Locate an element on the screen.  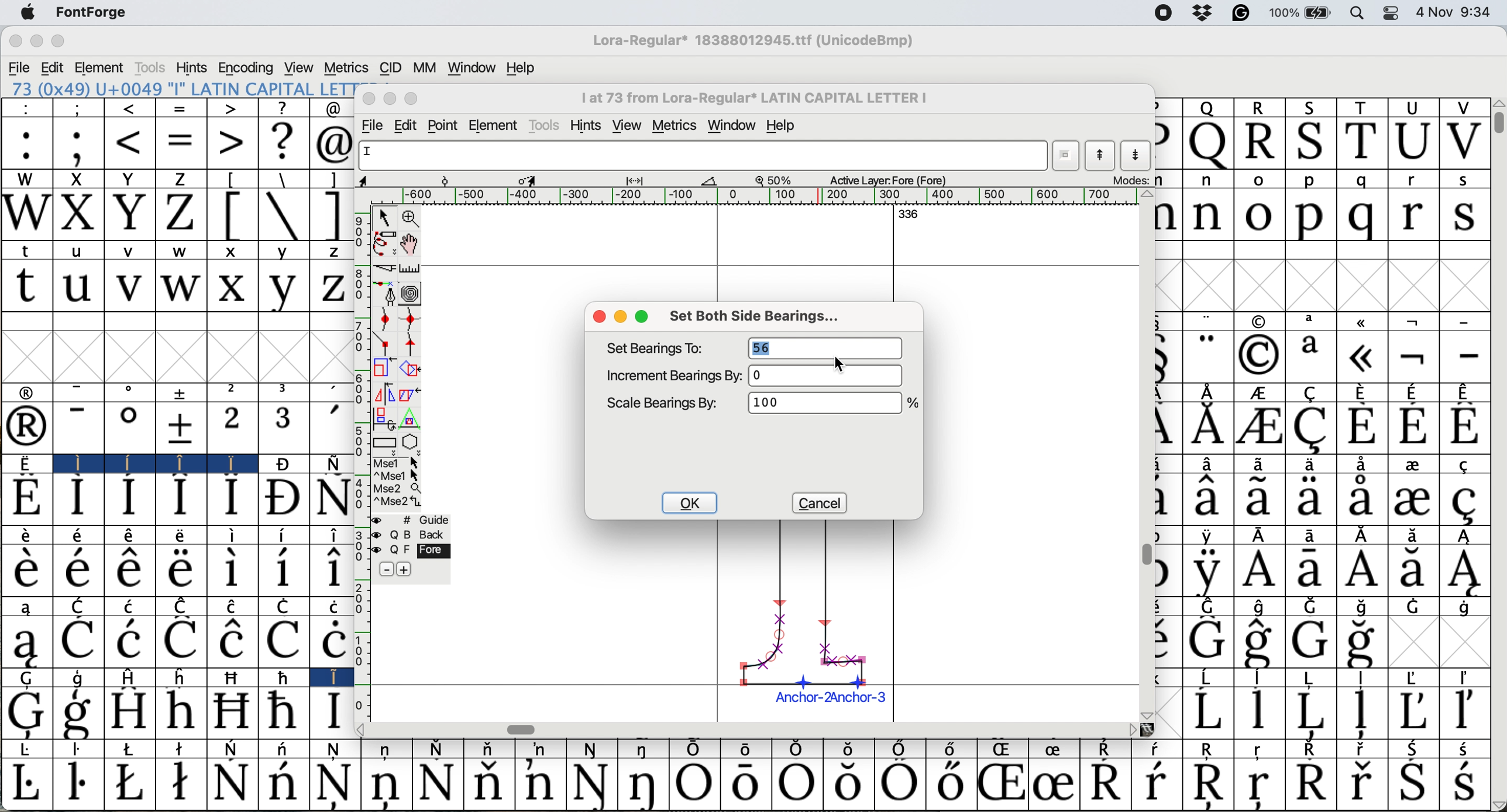
56 is located at coordinates (827, 348).